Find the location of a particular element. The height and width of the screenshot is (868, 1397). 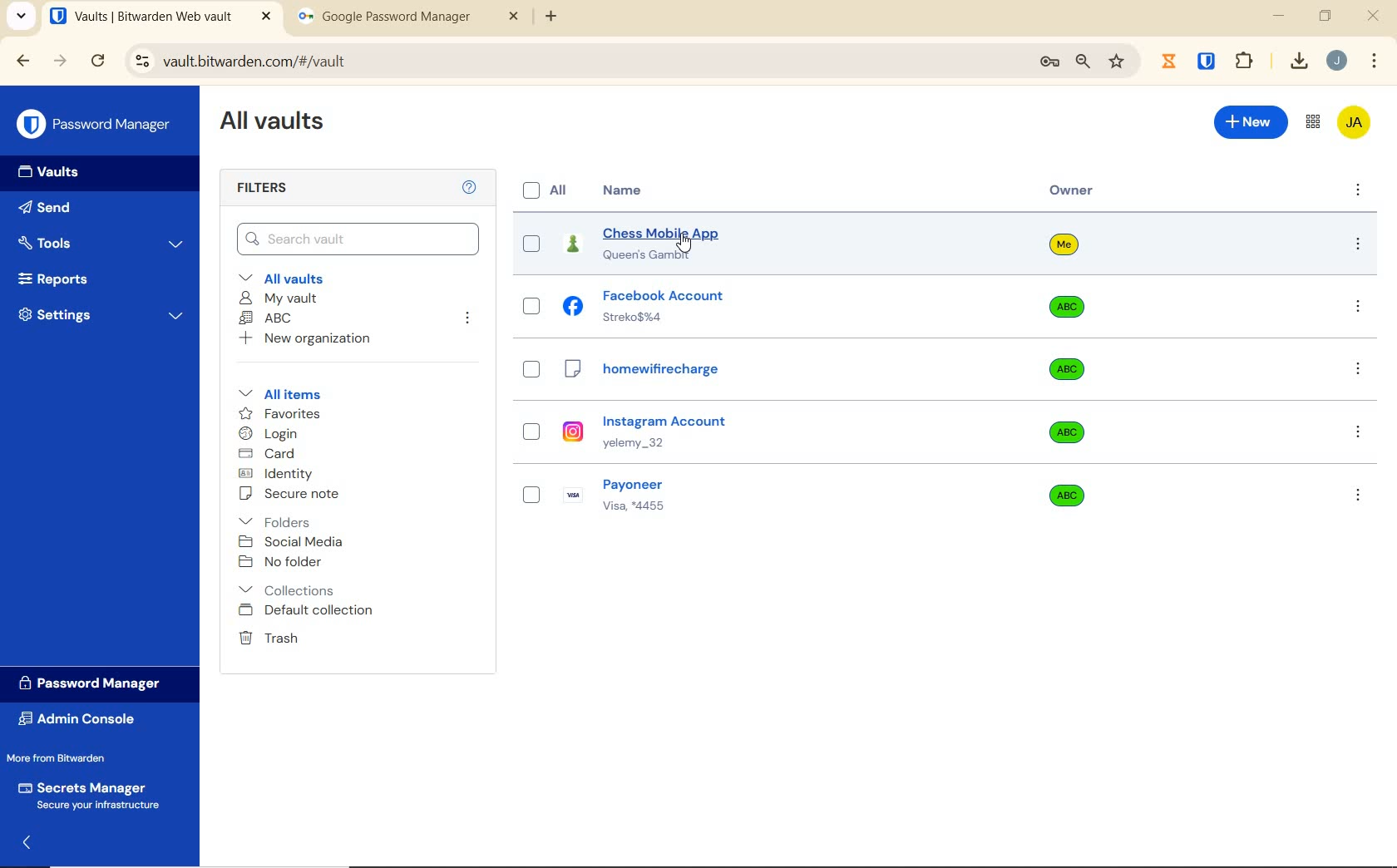

bookmark is located at coordinates (1118, 62).